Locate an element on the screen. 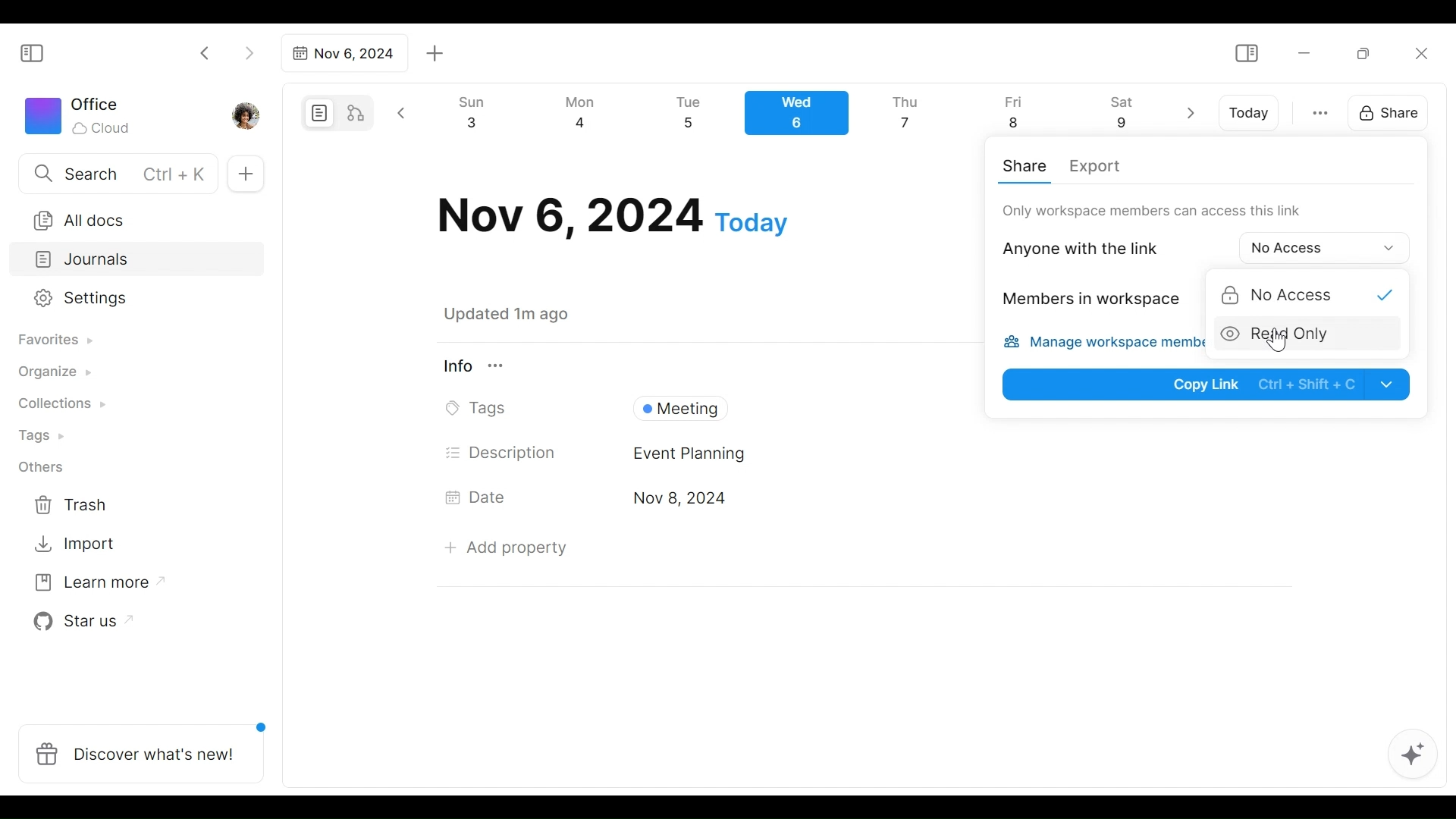 This screenshot has height=819, width=1456. Profile photo is located at coordinates (247, 112).